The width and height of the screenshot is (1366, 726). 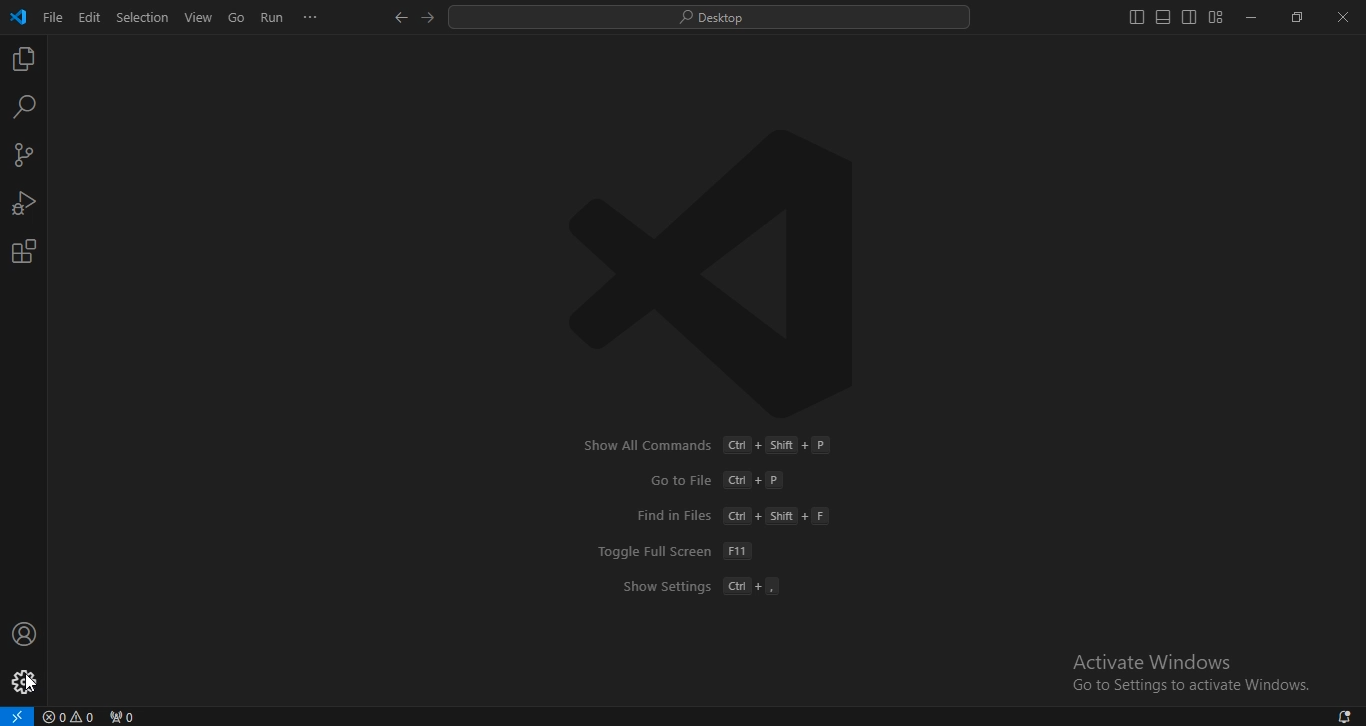 I want to click on go forward, so click(x=426, y=19).